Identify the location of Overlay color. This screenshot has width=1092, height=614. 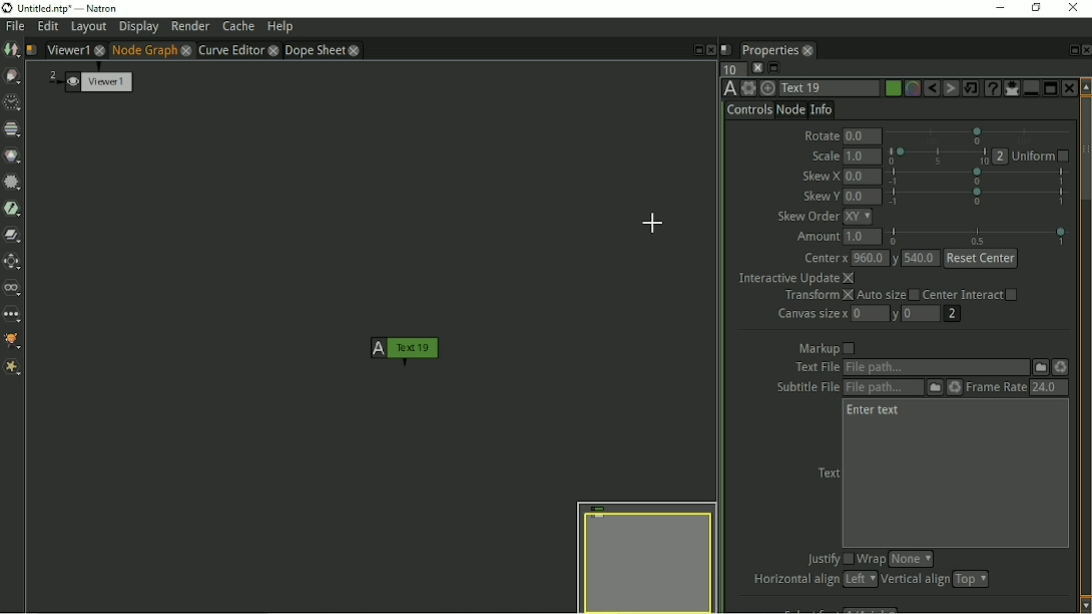
(912, 89).